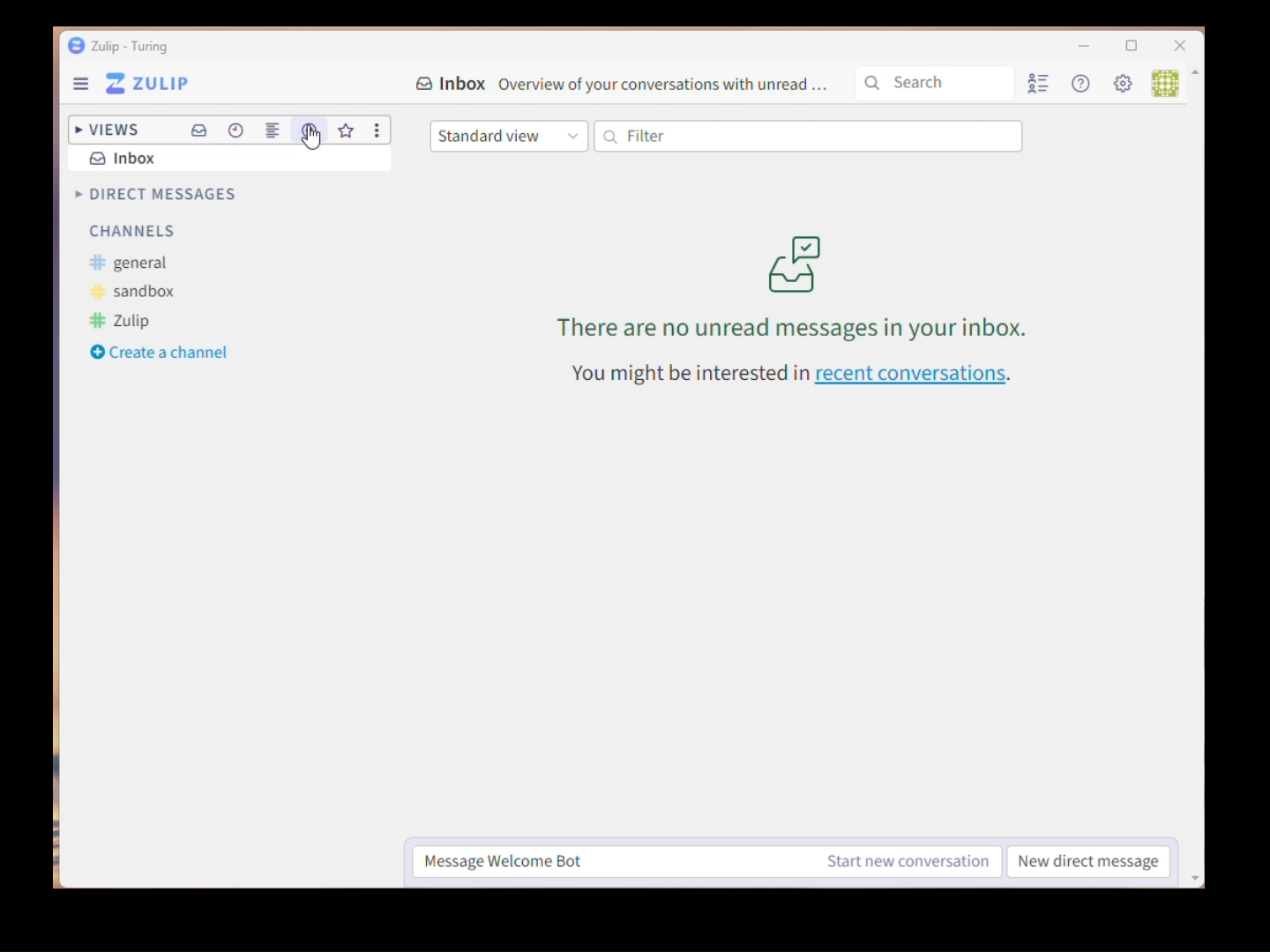 Image resolution: width=1270 pixels, height=952 pixels. Describe the element at coordinates (153, 195) in the screenshot. I see `Direct Messages` at that location.